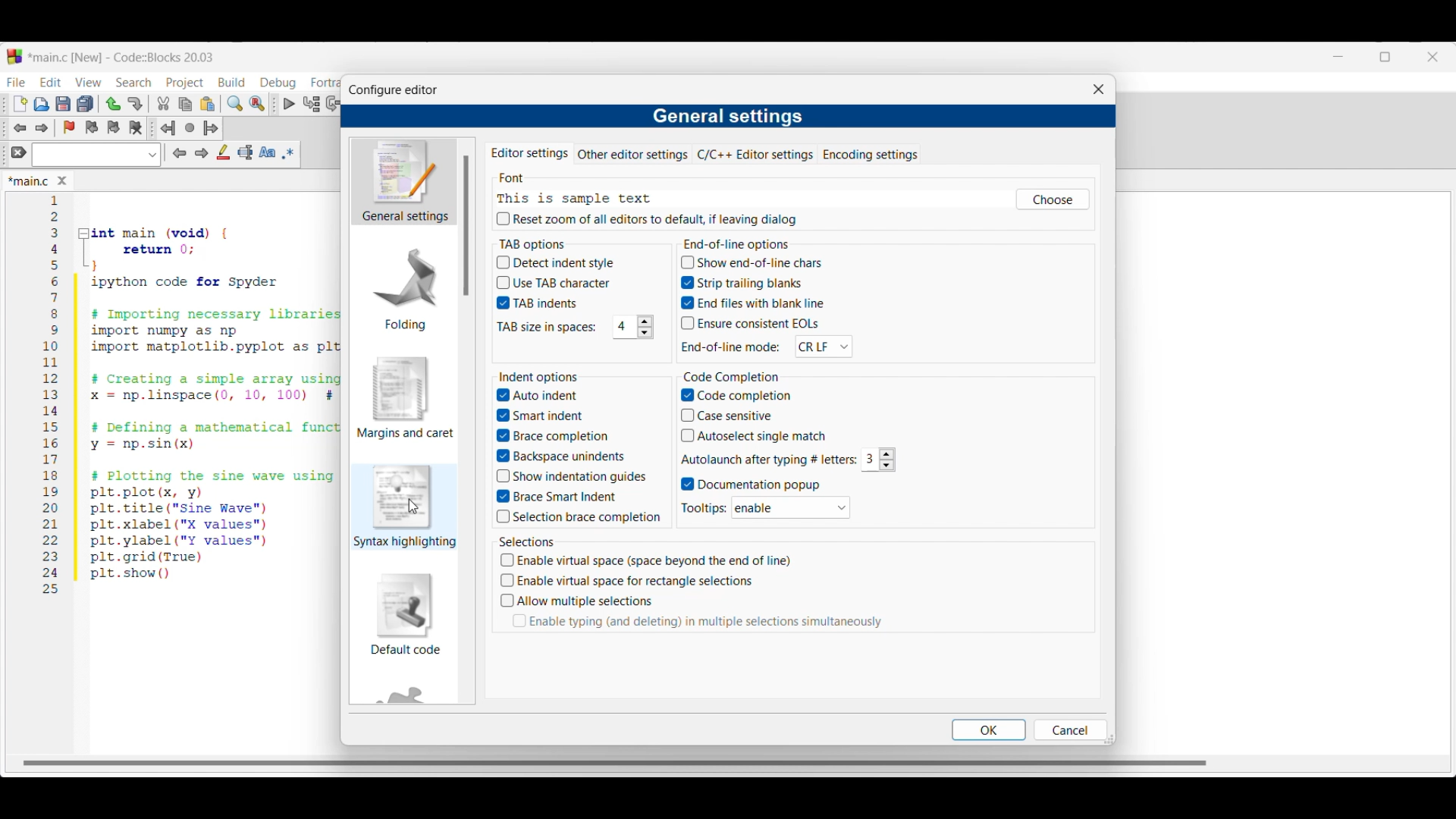 The image size is (1456, 819). I want to click on Copy, so click(185, 105).